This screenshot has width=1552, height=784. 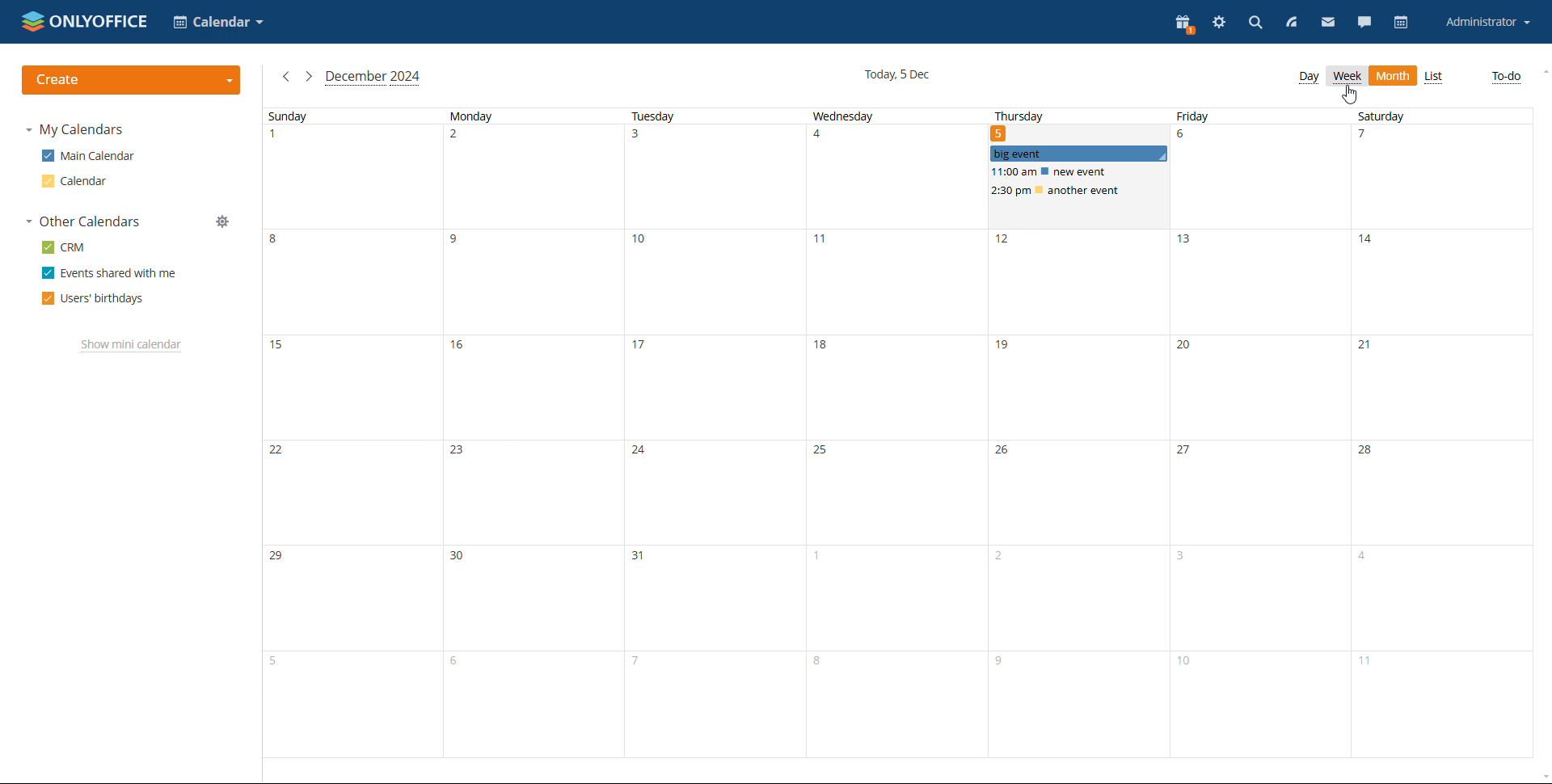 I want to click on scroll up , so click(x=1542, y=73).